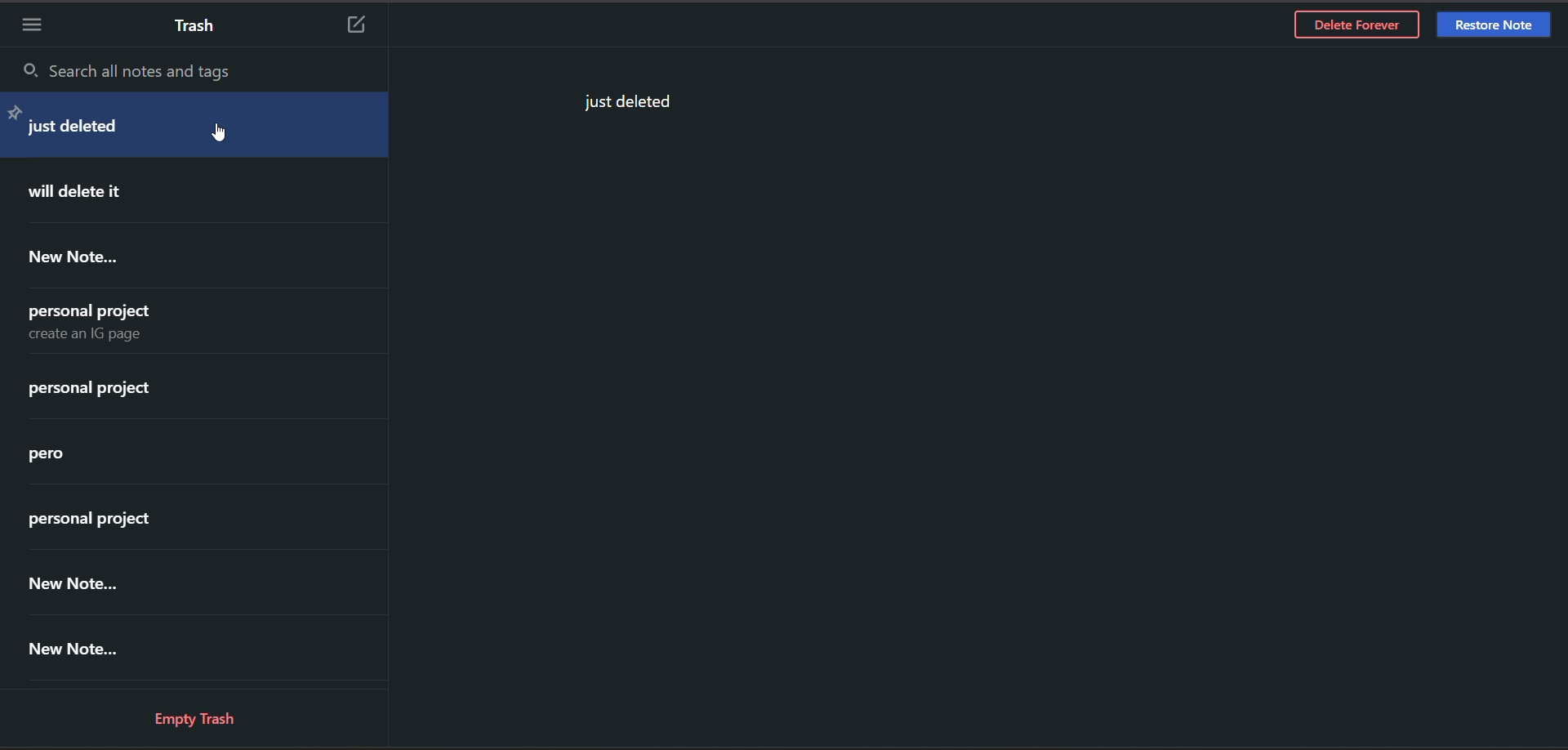  What do you see at coordinates (1492, 25) in the screenshot?
I see `restore note` at bounding box center [1492, 25].